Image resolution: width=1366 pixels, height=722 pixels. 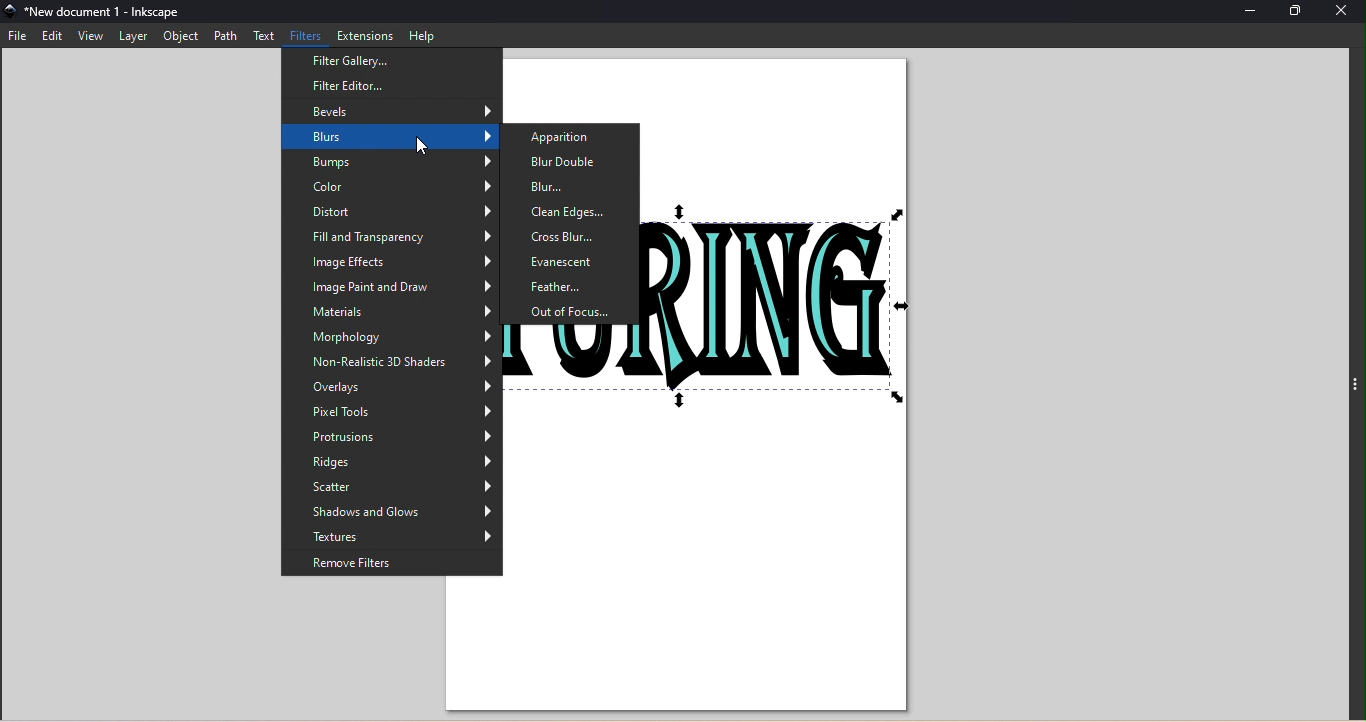 I want to click on Image paint and draw, so click(x=390, y=287).